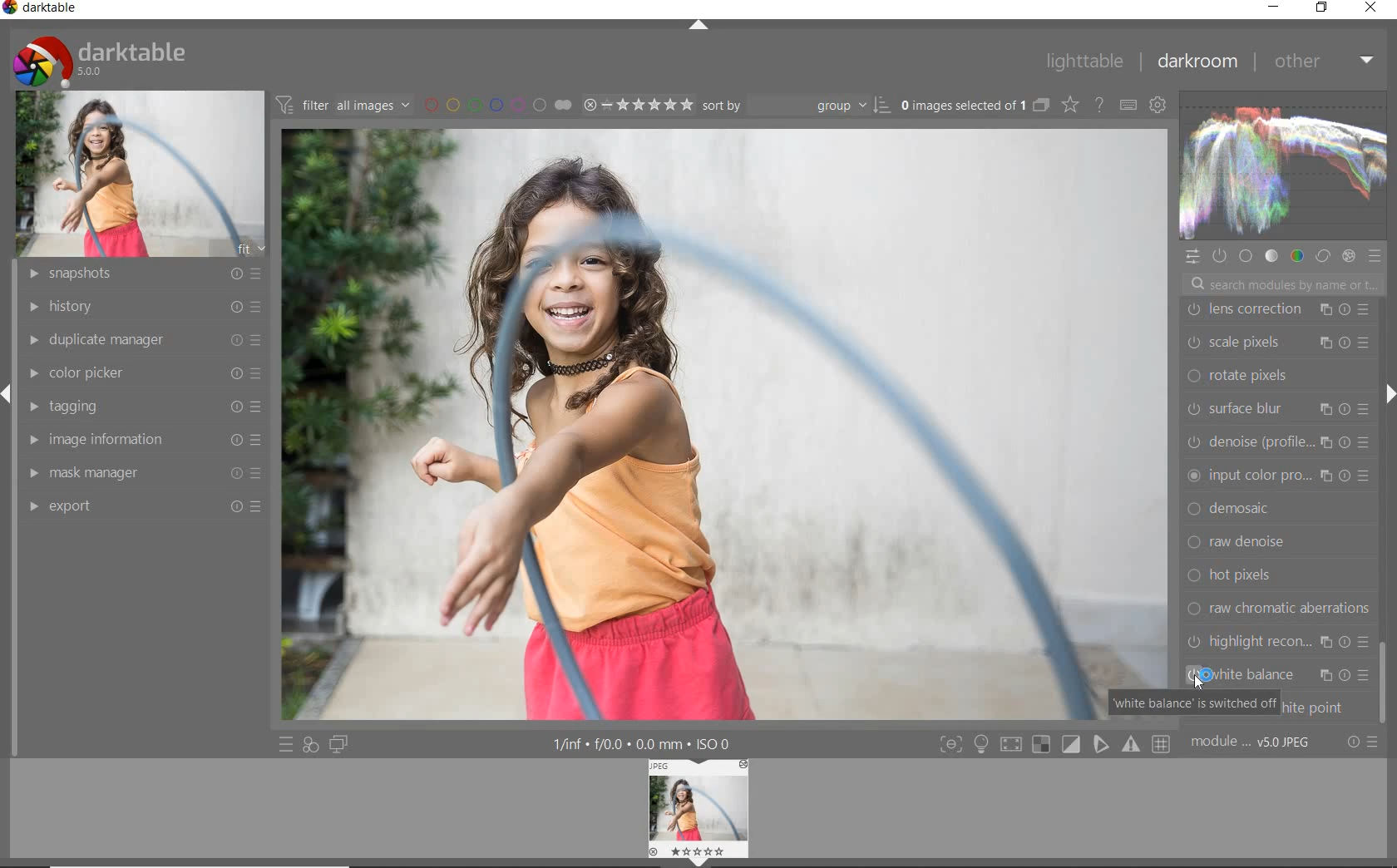 This screenshot has width=1397, height=868. I want to click on dither or paste, so click(1274, 380).